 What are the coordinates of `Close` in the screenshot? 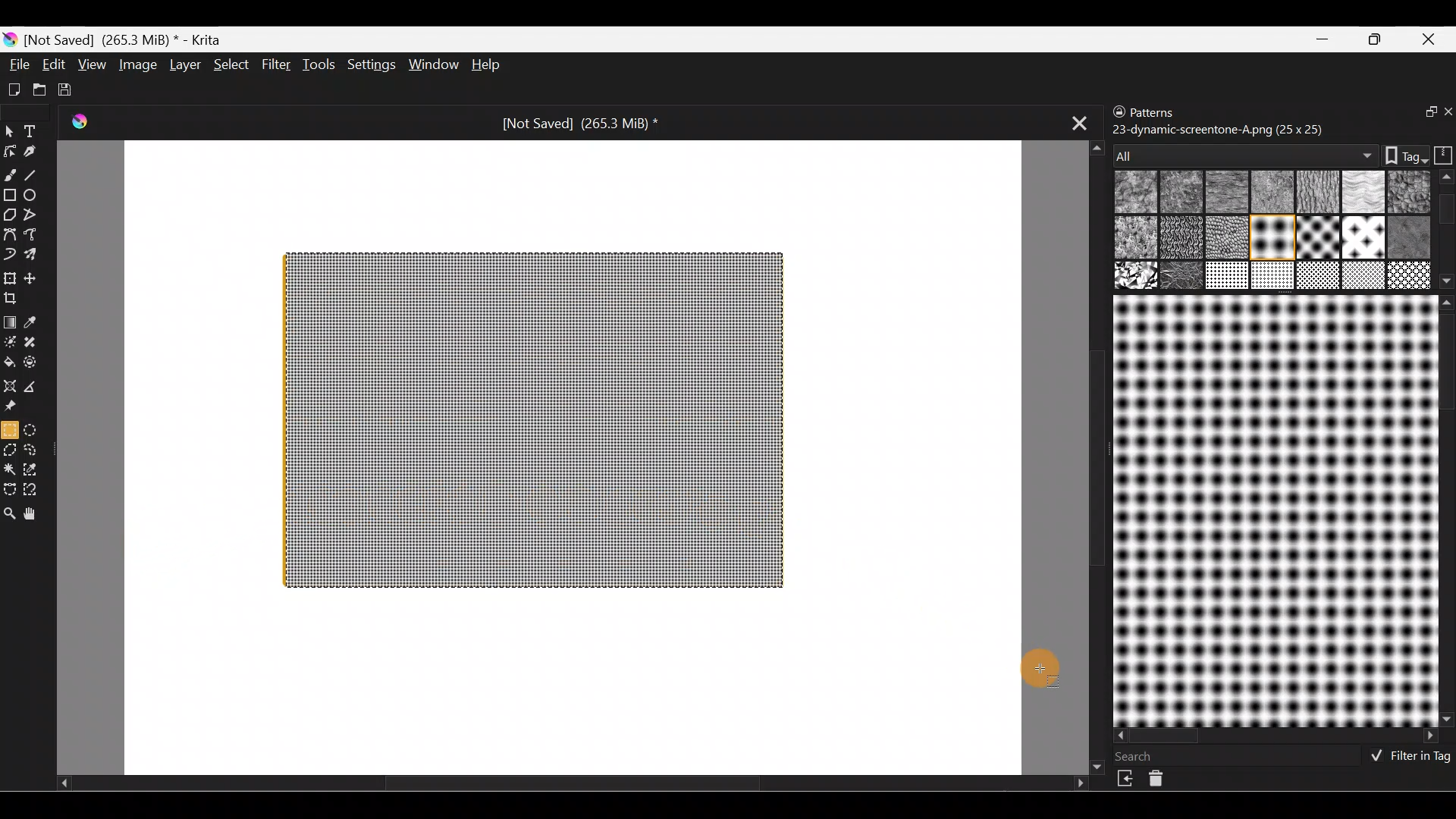 It's located at (1432, 38).